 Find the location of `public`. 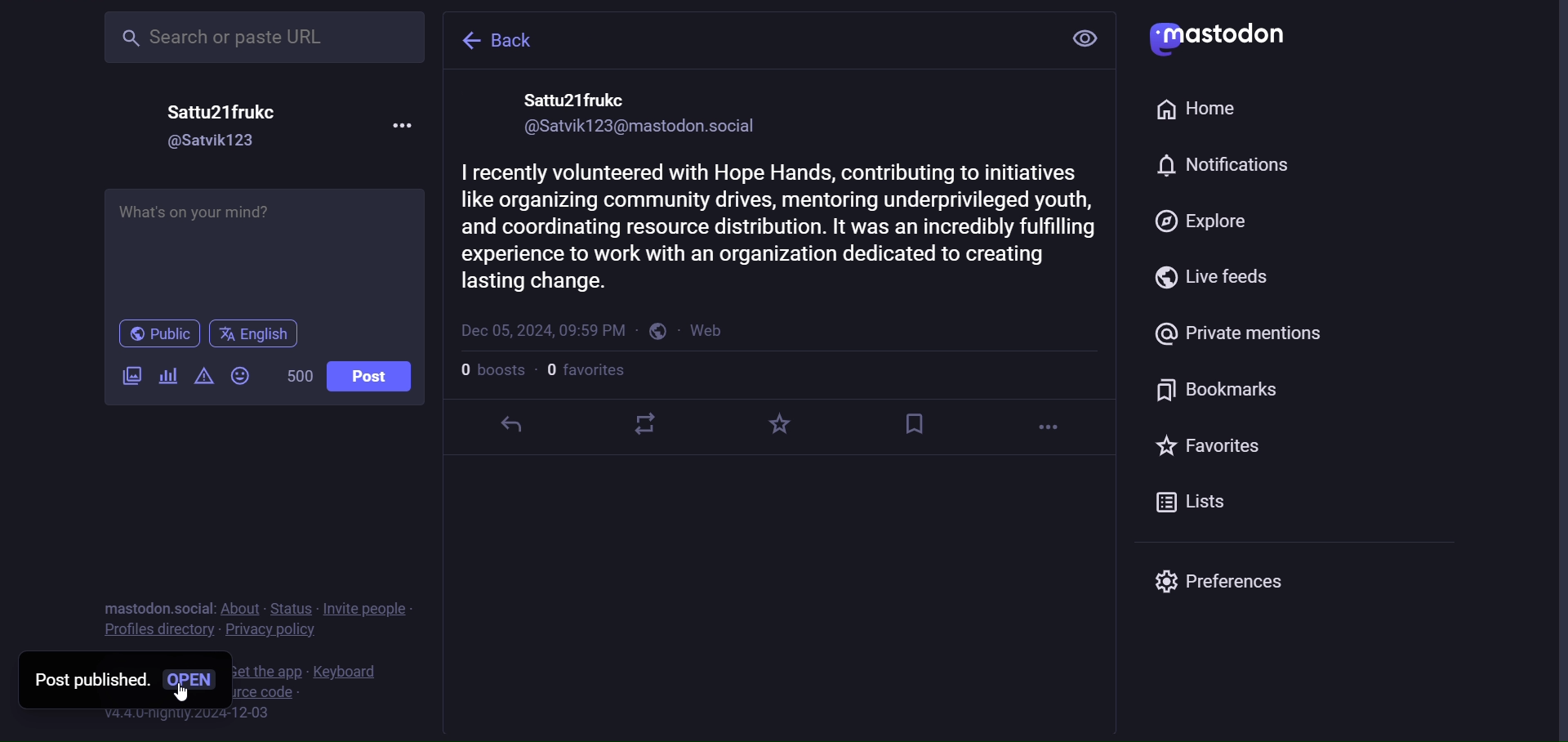

public is located at coordinates (152, 333).